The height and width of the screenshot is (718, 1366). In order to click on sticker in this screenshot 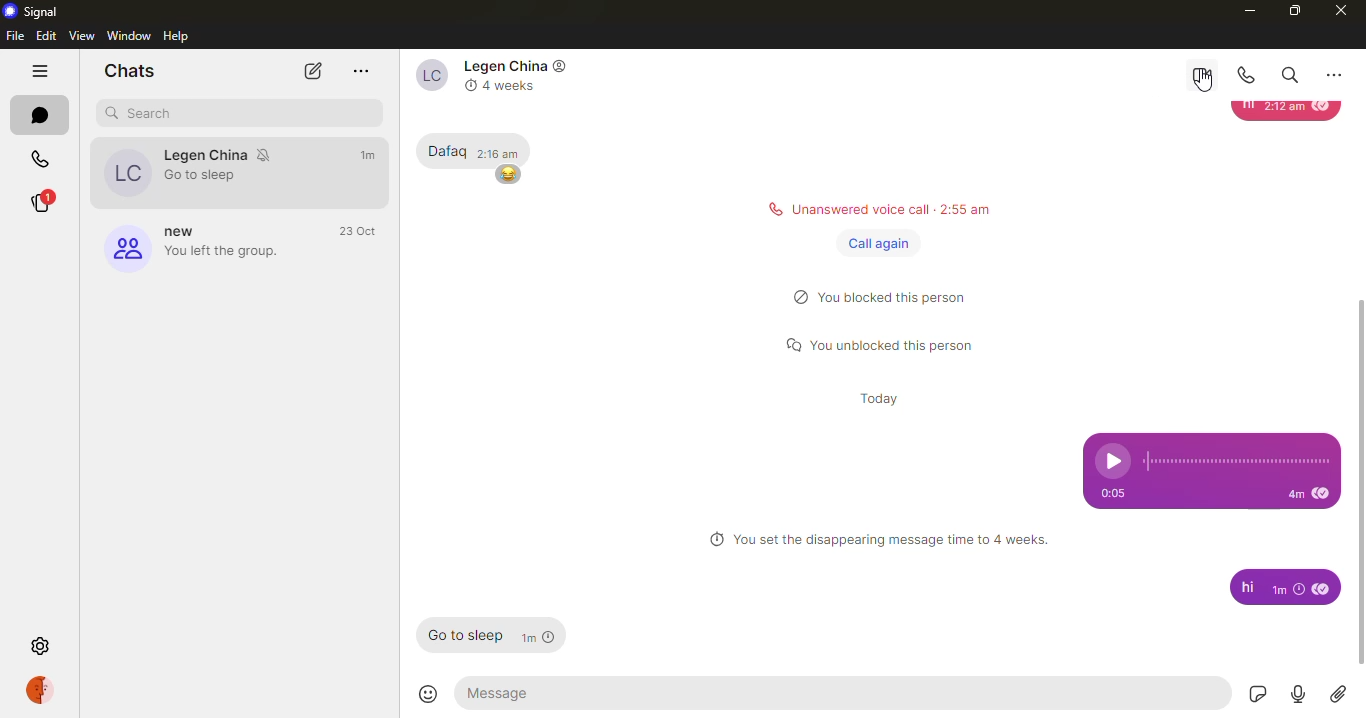, I will do `click(1255, 694)`.